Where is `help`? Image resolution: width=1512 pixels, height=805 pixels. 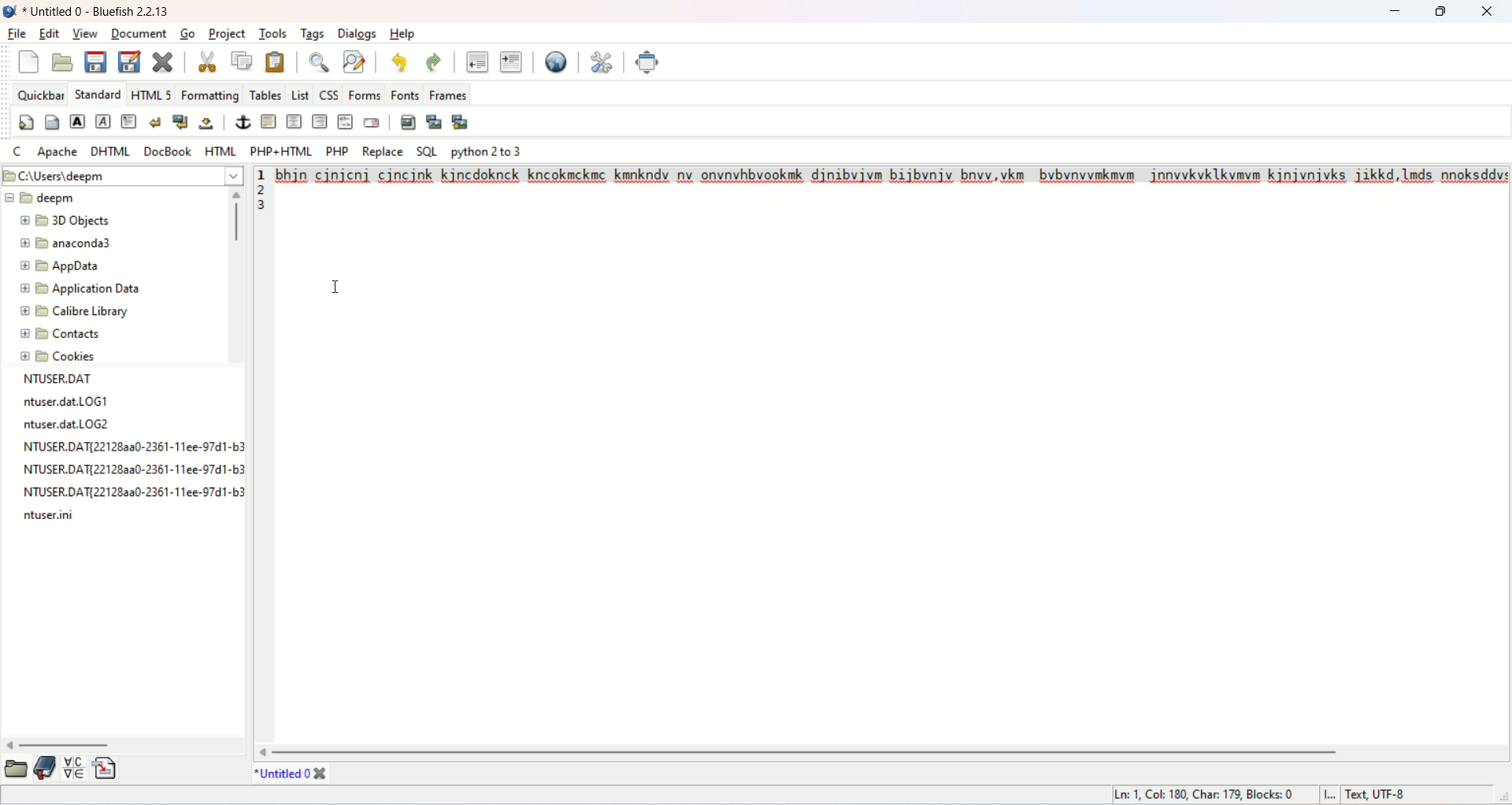 help is located at coordinates (402, 32).